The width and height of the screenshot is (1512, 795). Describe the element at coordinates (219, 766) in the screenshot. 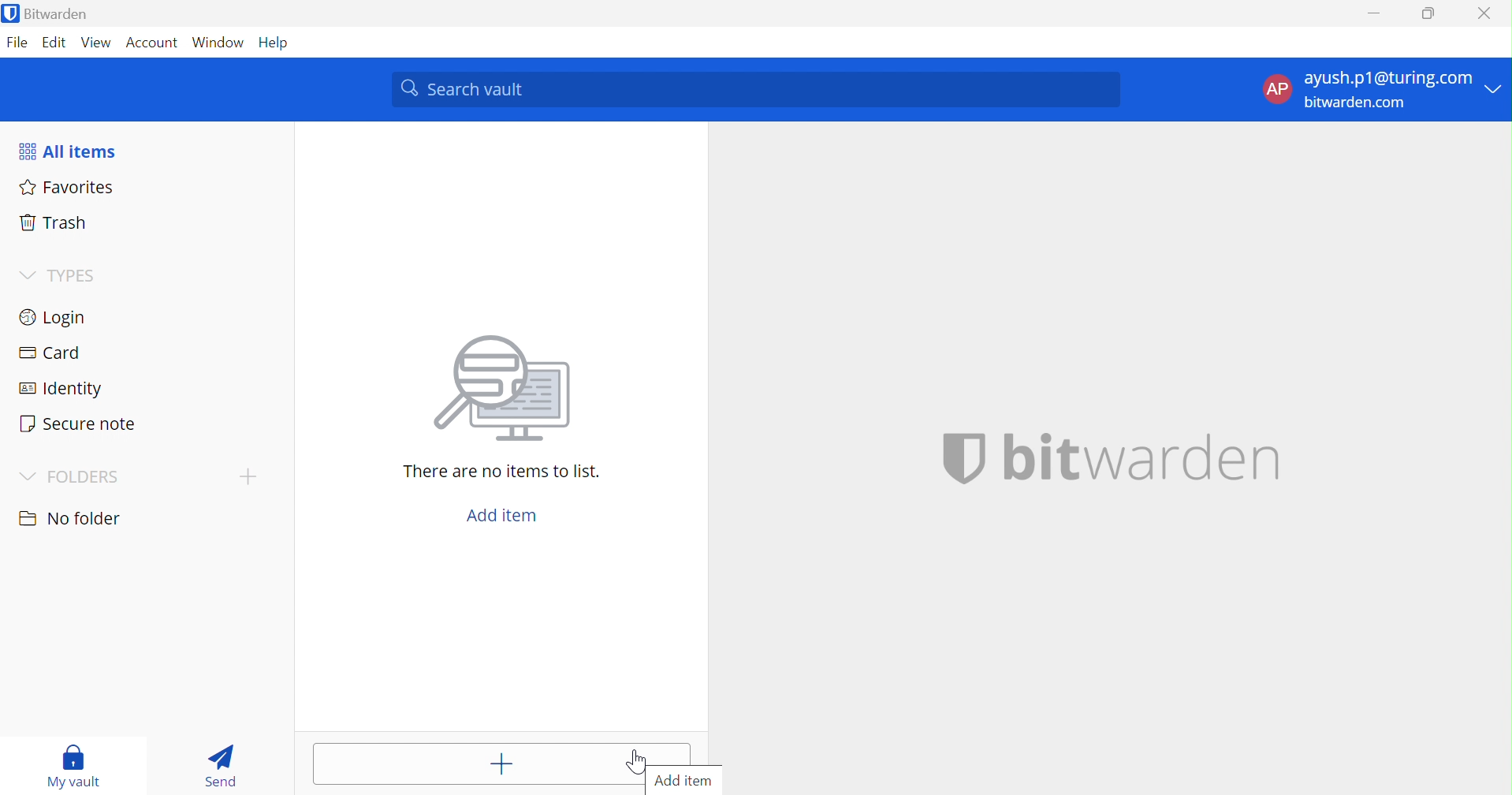

I see `Send` at that location.